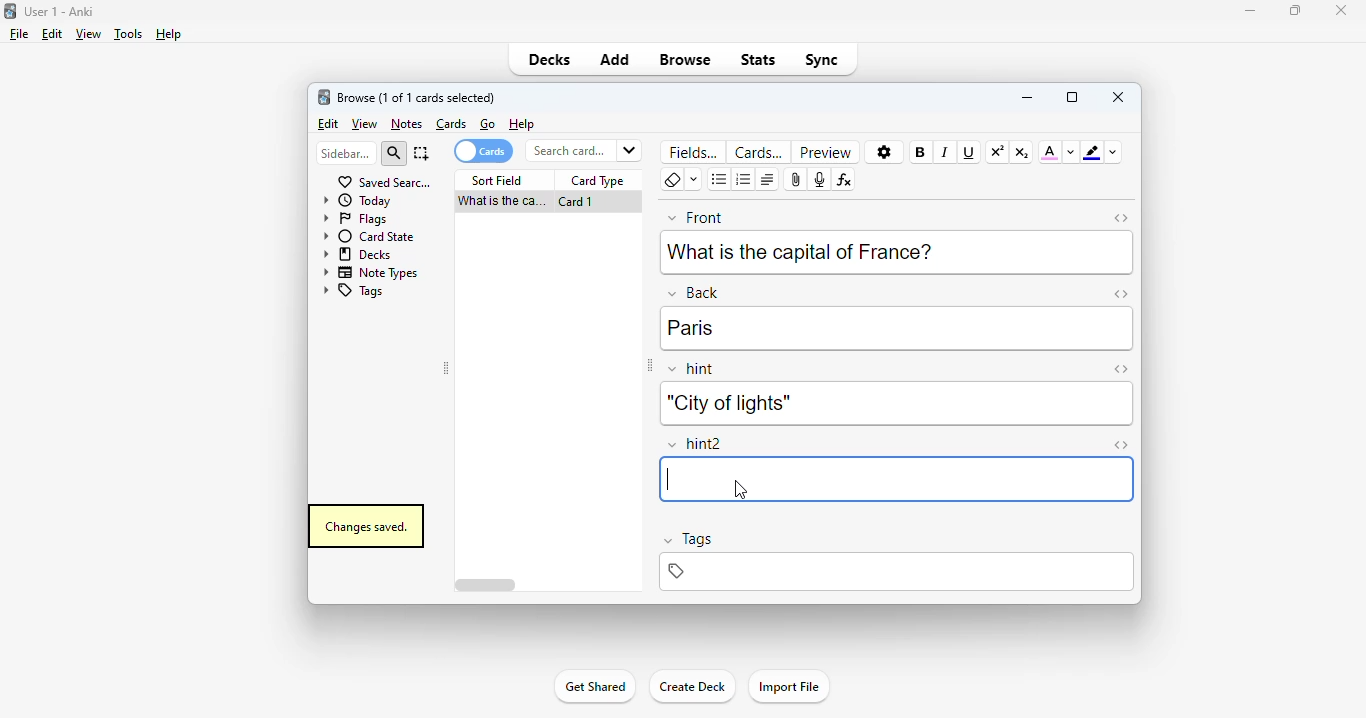  Describe the element at coordinates (1091, 152) in the screenshot. I see `text highlighting color` at that location.